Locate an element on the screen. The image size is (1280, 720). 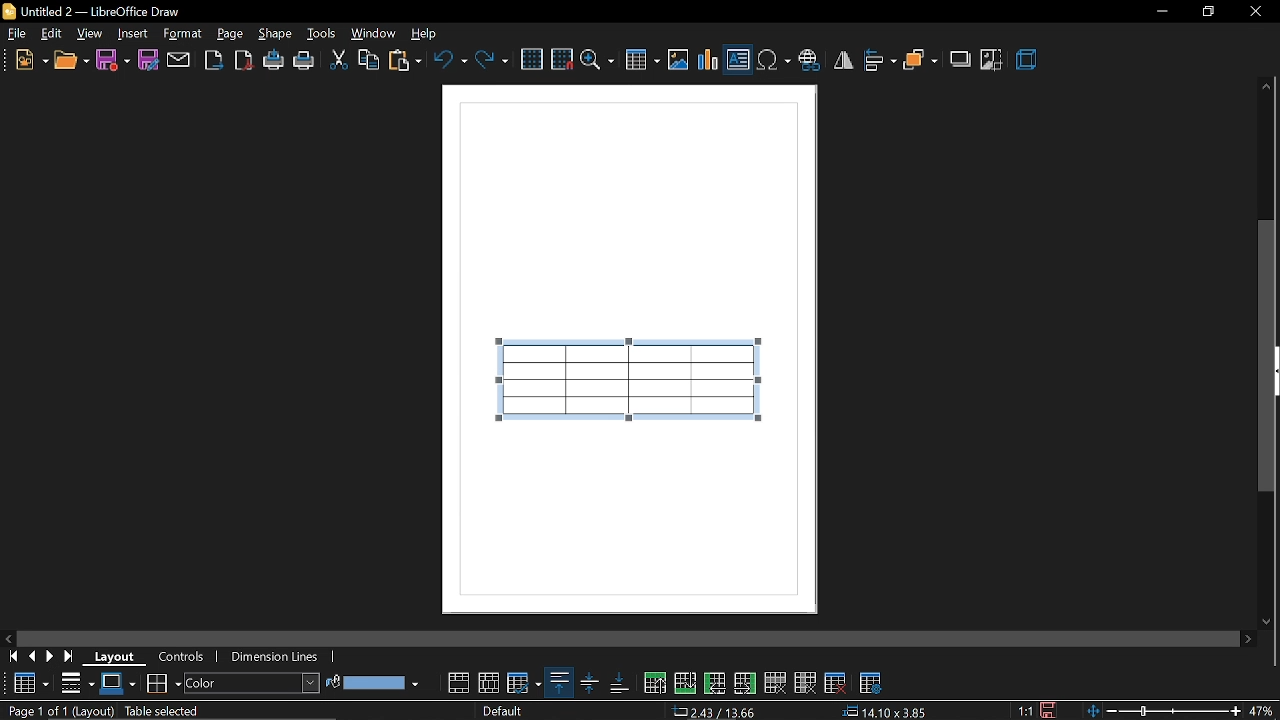
undo is located at coordinates (450, 61).